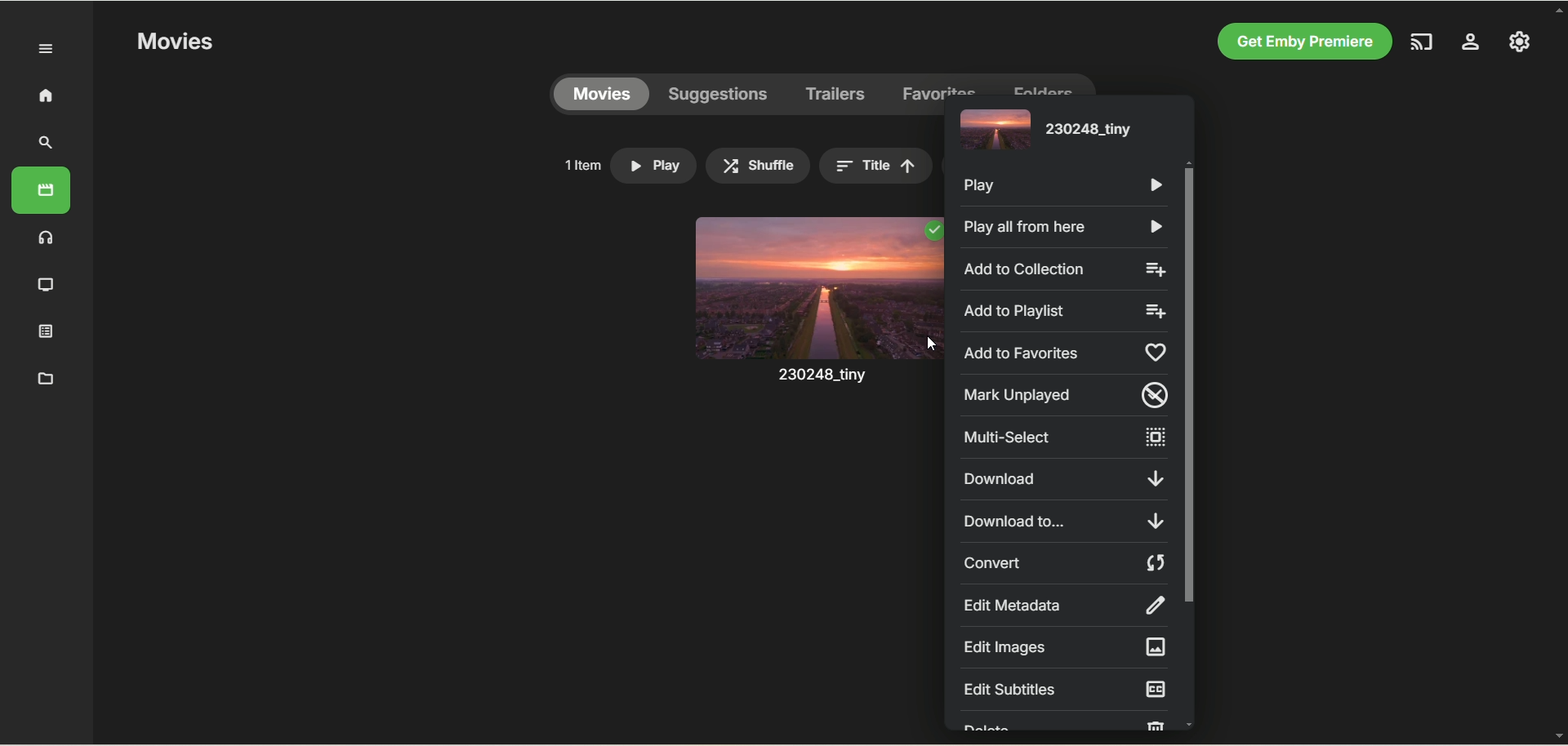  I want to click on add to playlist, so click(1067, 312).